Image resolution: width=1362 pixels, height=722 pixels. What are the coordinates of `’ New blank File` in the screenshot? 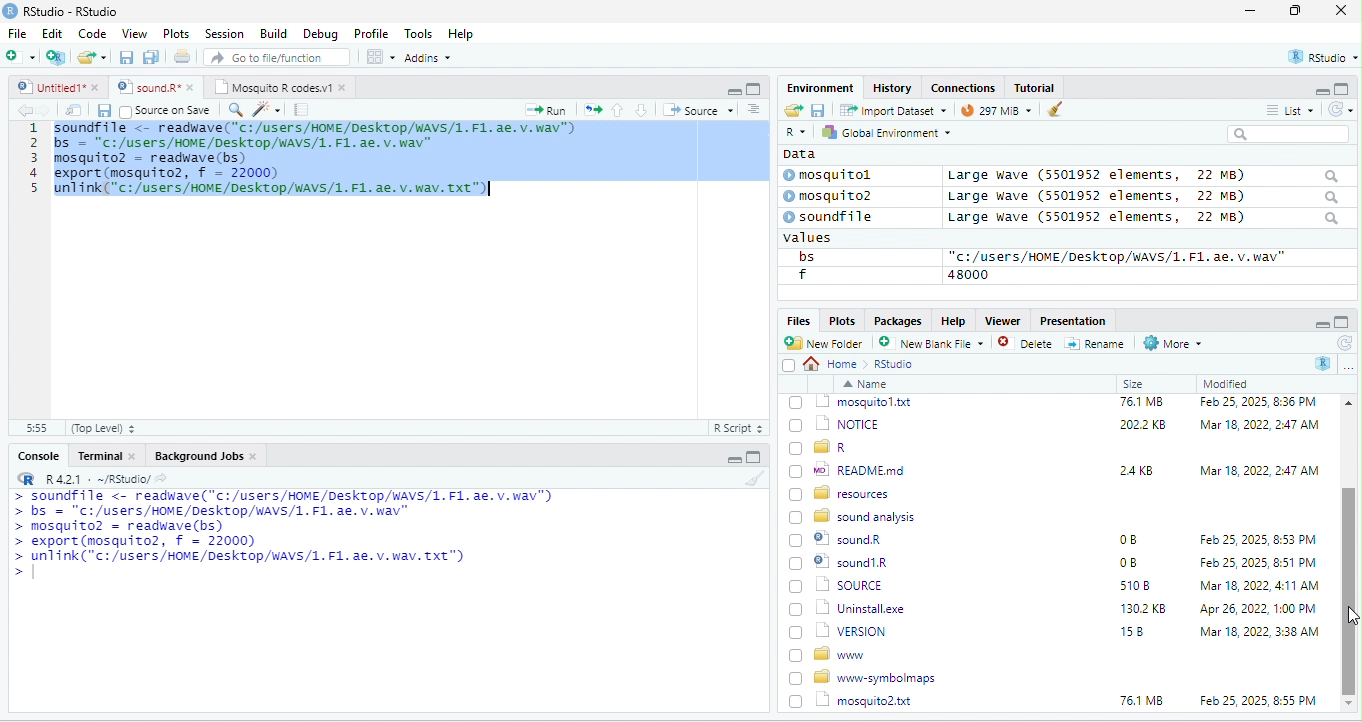 It's located at (937, 346).